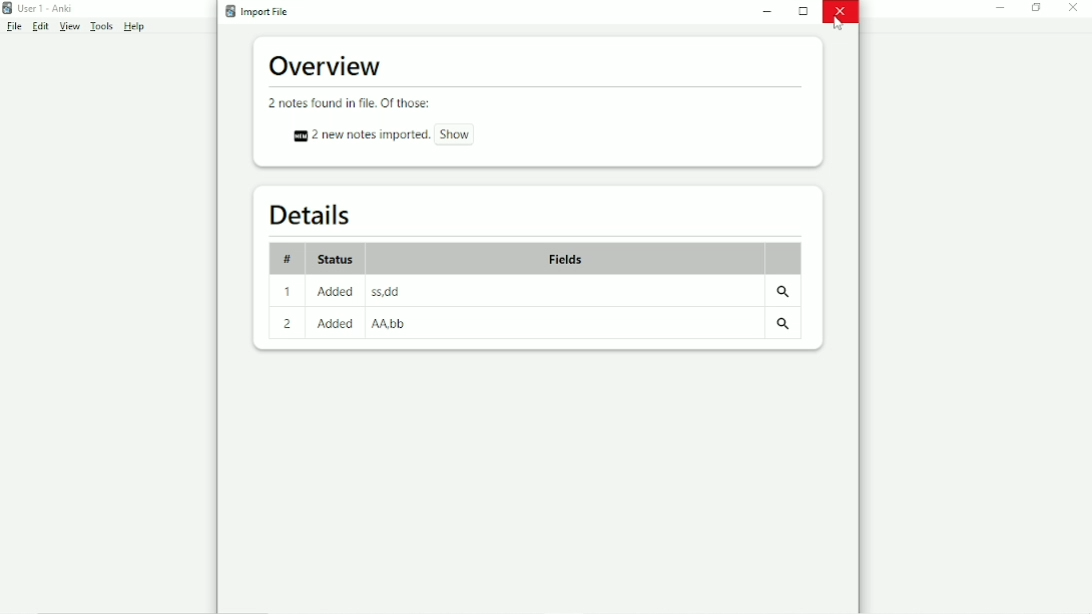 The image size is (1092, 614). What do you see at coordinates (287, 259) in the screenshot?
I see `#` at bounding box center [287, 259].